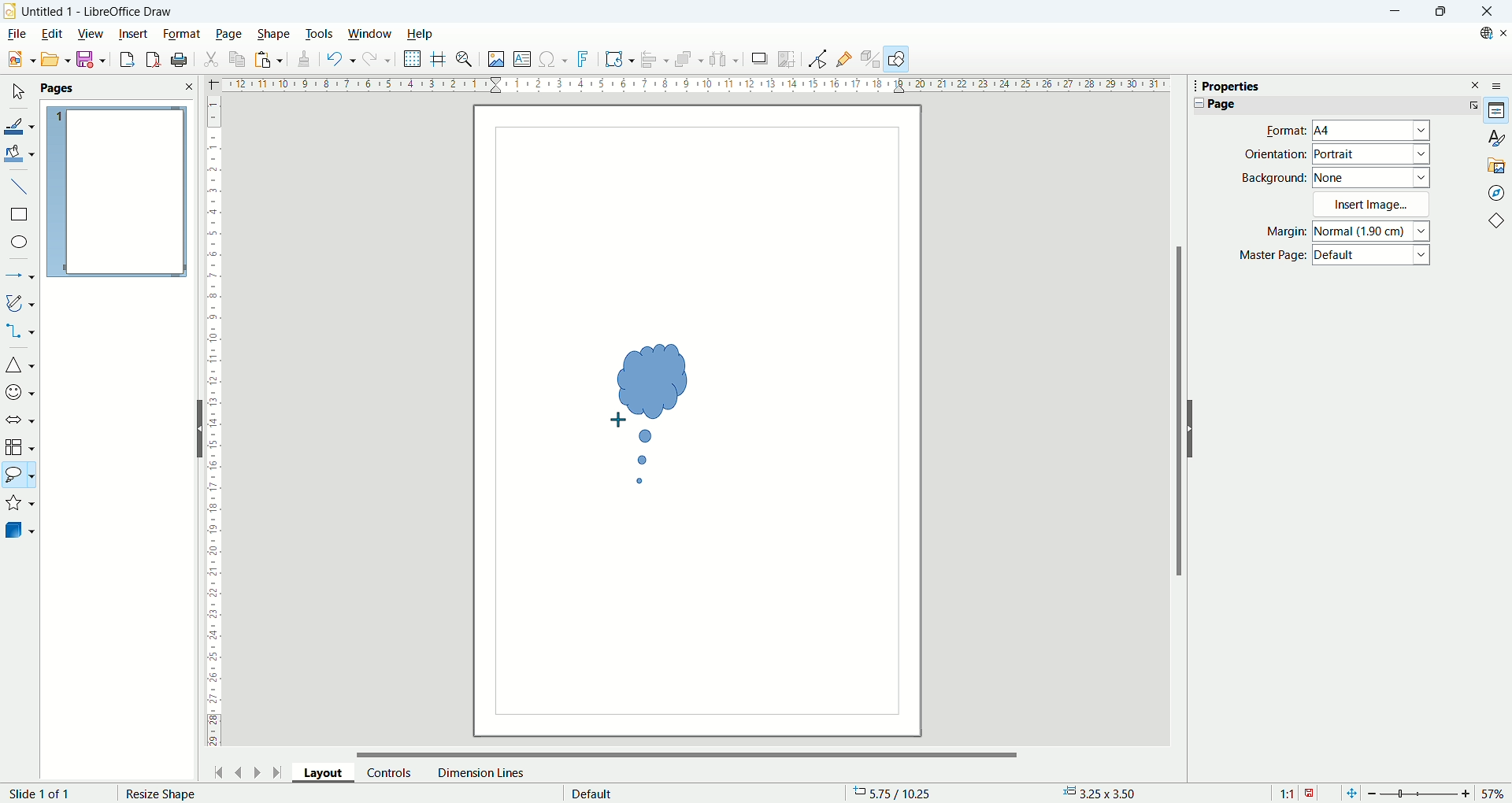 The image size is (1512, 803). What do you see at coordinates (180, 60) in the screenshot?
I see `print` at bounding box center [180, 60].